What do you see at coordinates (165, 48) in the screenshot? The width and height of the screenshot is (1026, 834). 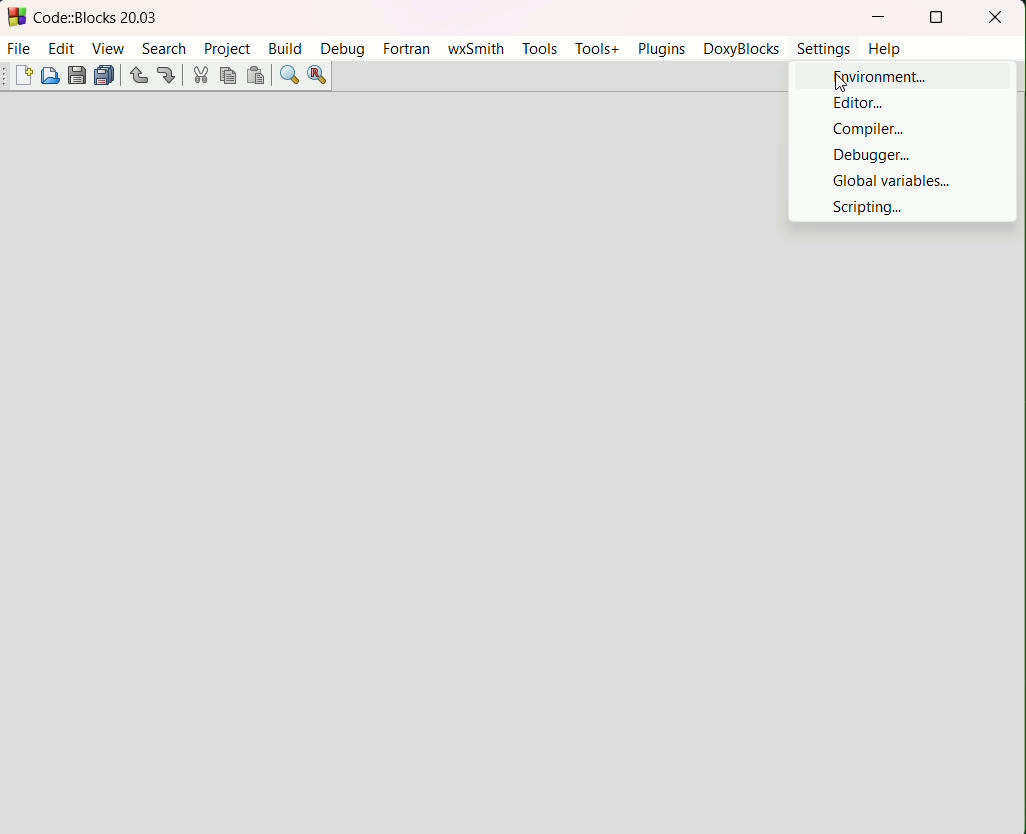 I see `search` at bounding box center [165, 48].